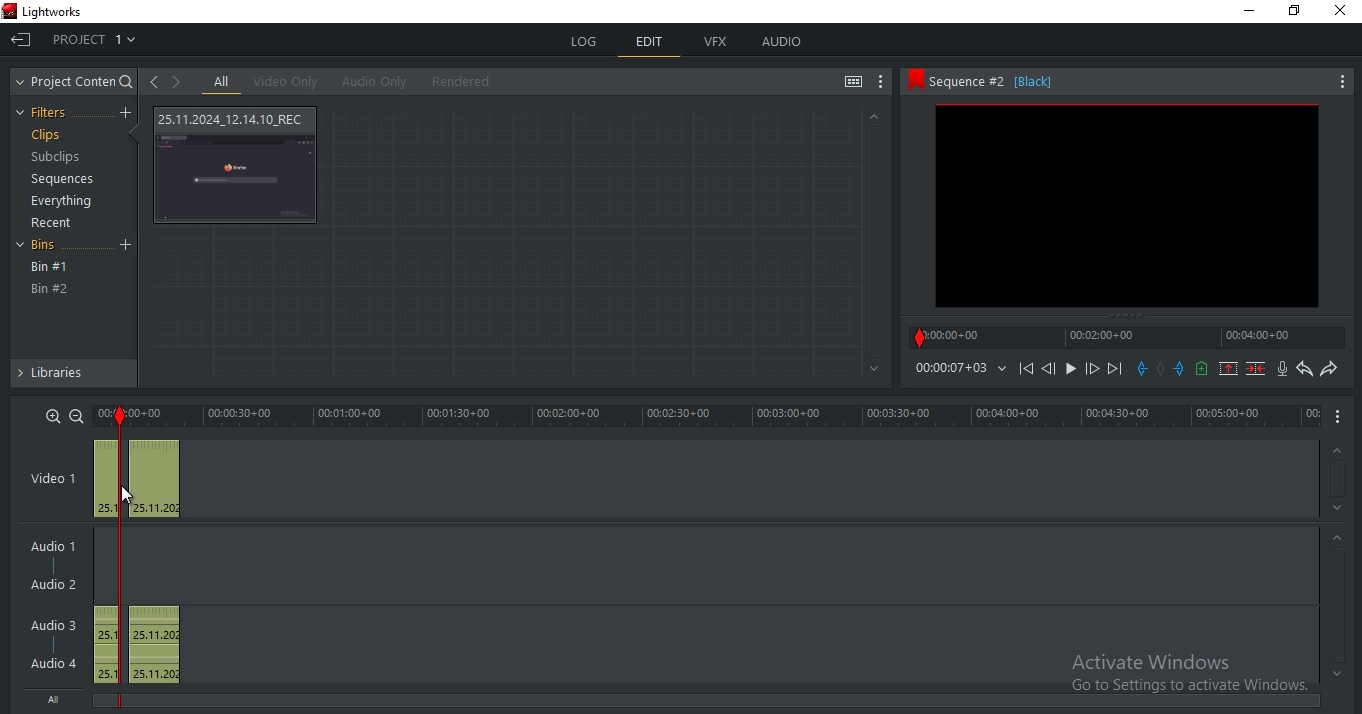  What do you see at coordinates (461, 81) in the screenshot?
I see `rendered` at bounding box center [461, 81].